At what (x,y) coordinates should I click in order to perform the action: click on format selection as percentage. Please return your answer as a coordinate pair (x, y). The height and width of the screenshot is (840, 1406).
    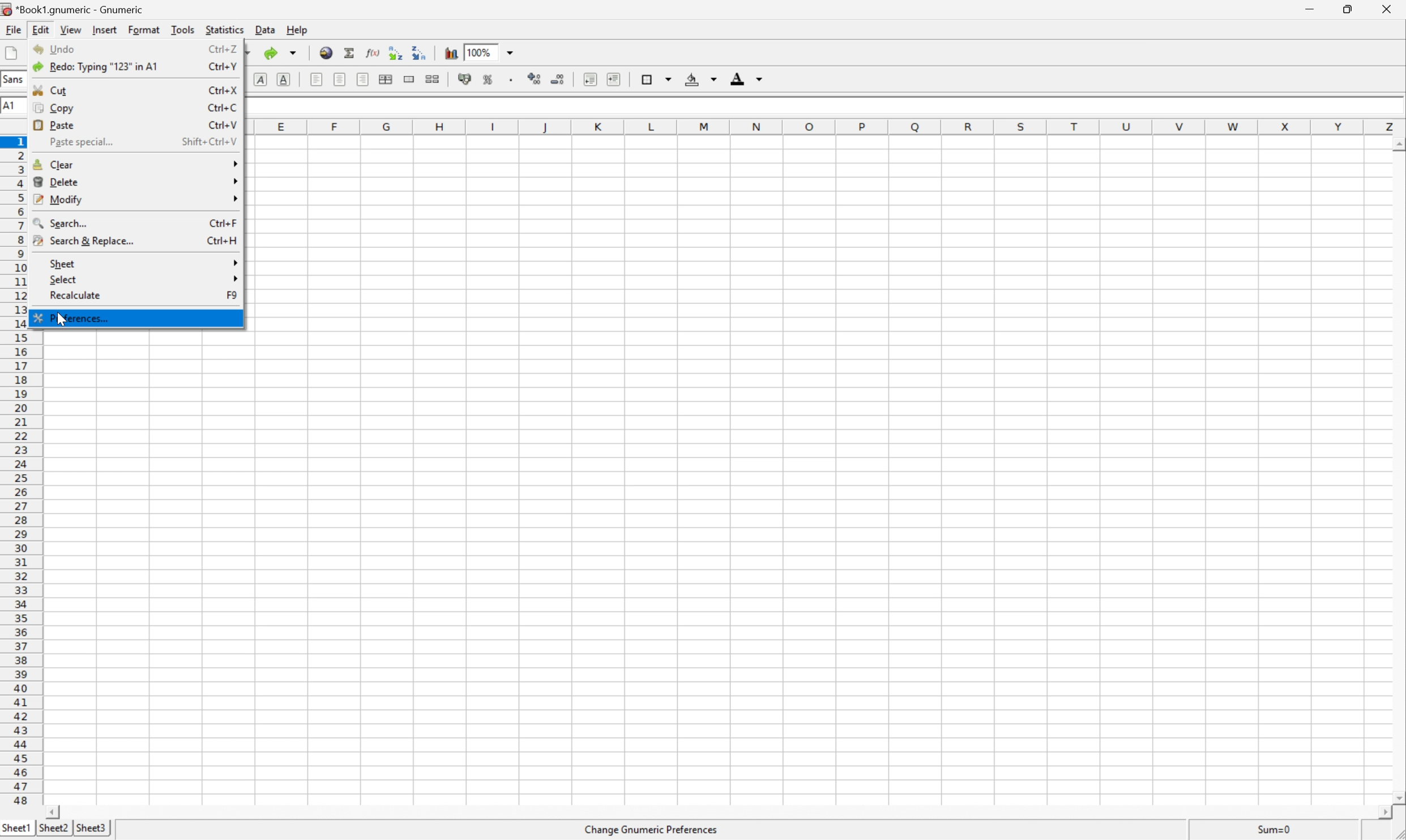
    Looking at the image, I should click on (490, 79).